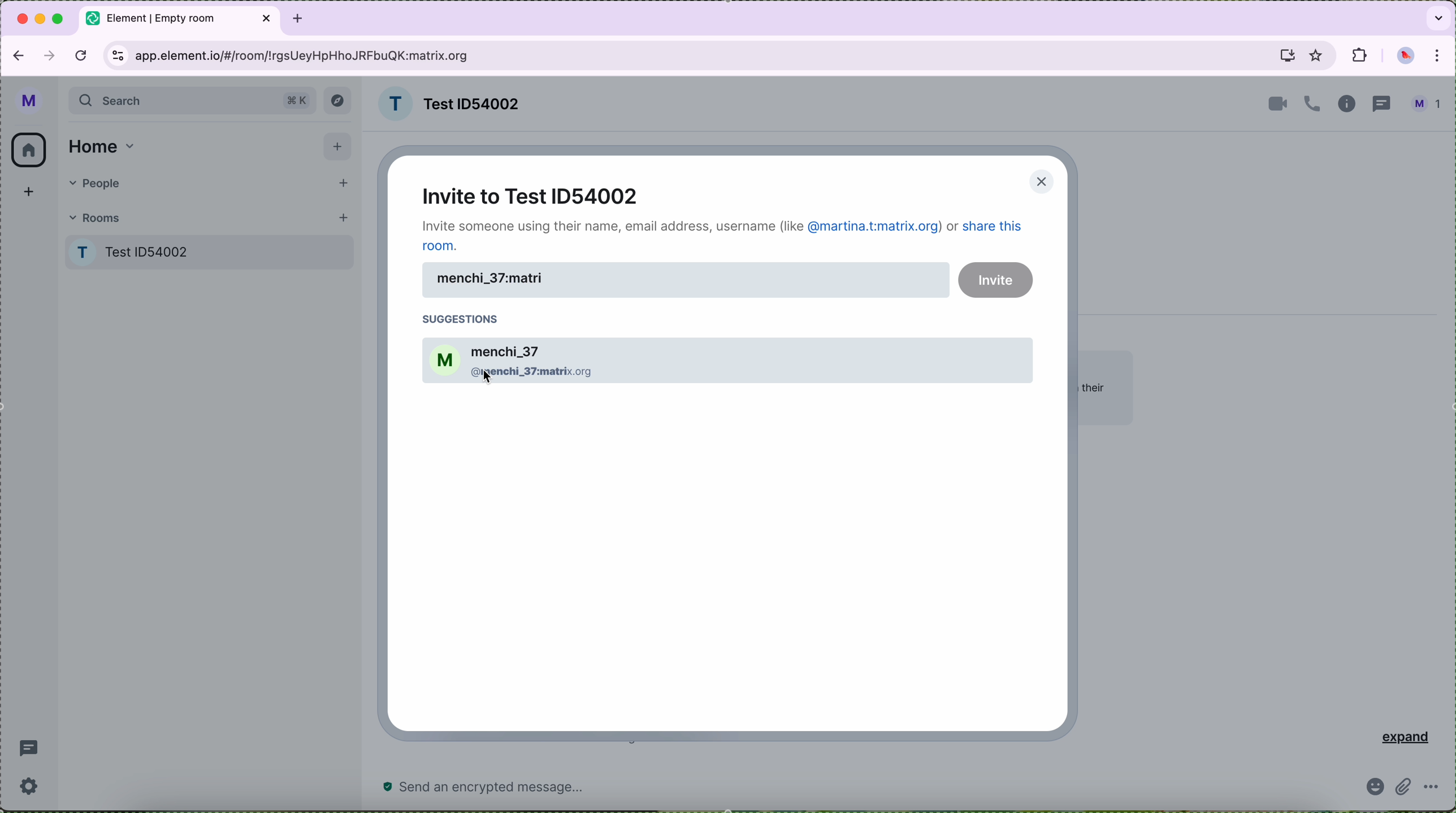  Describe the element at coordinates (487, 382) in the screenshot. I see `cursor` at that location.